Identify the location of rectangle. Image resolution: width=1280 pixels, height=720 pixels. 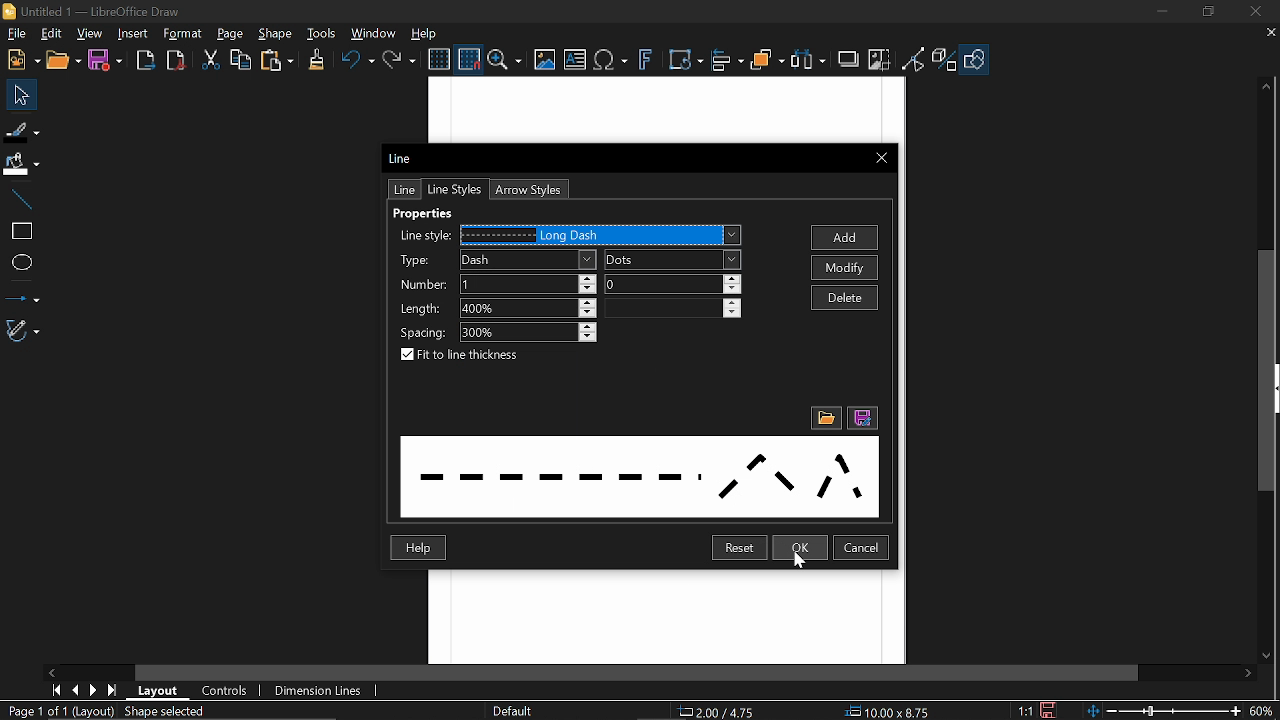
(21, 232).